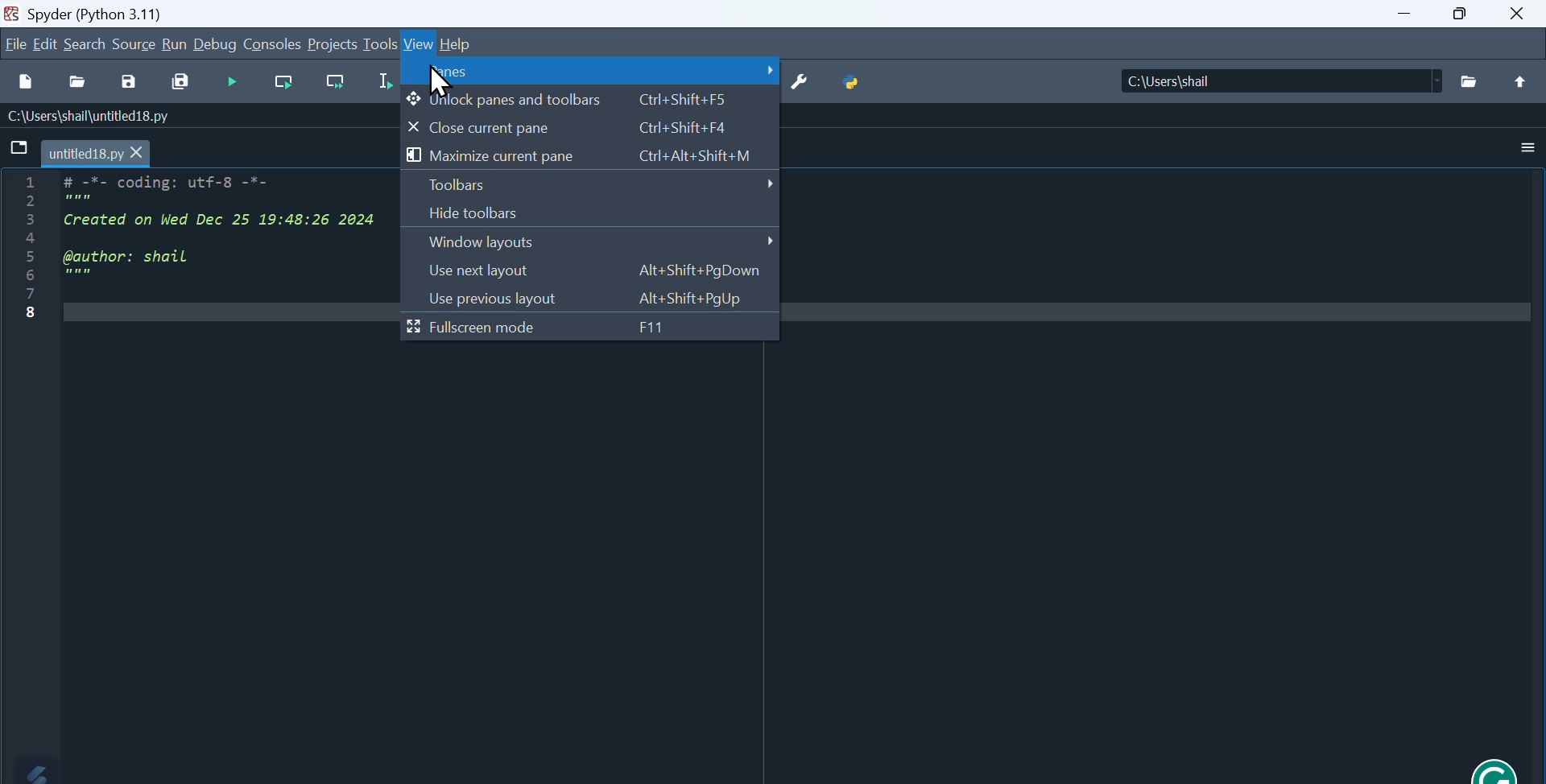 This screenshot has width=1546, height=784. Describe the element at coordinates (575, 156) in the screenshot. I see `Maximise current pane` at that location.